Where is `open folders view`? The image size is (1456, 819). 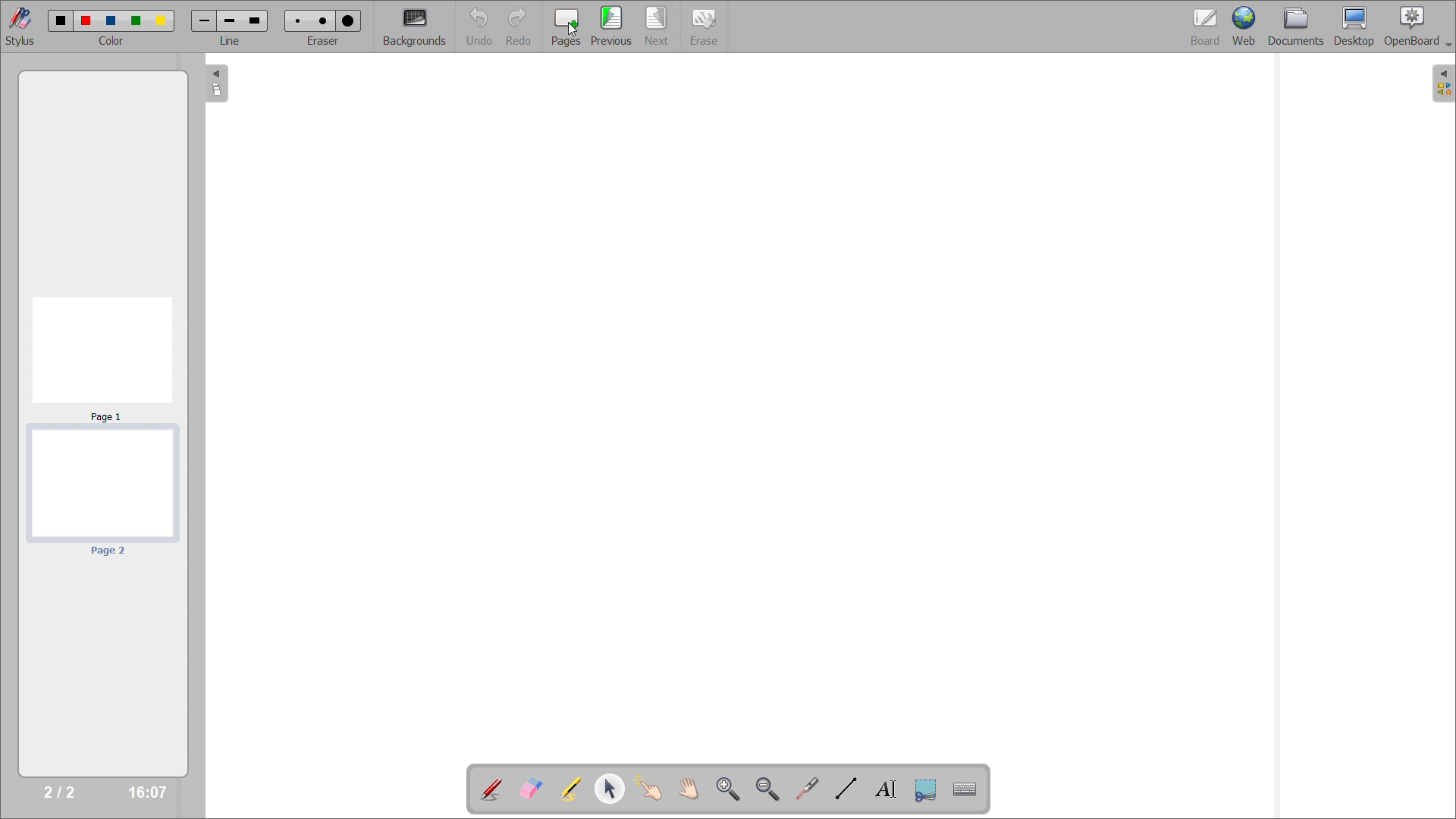 open folders view is located at coordinates (1445, 83).